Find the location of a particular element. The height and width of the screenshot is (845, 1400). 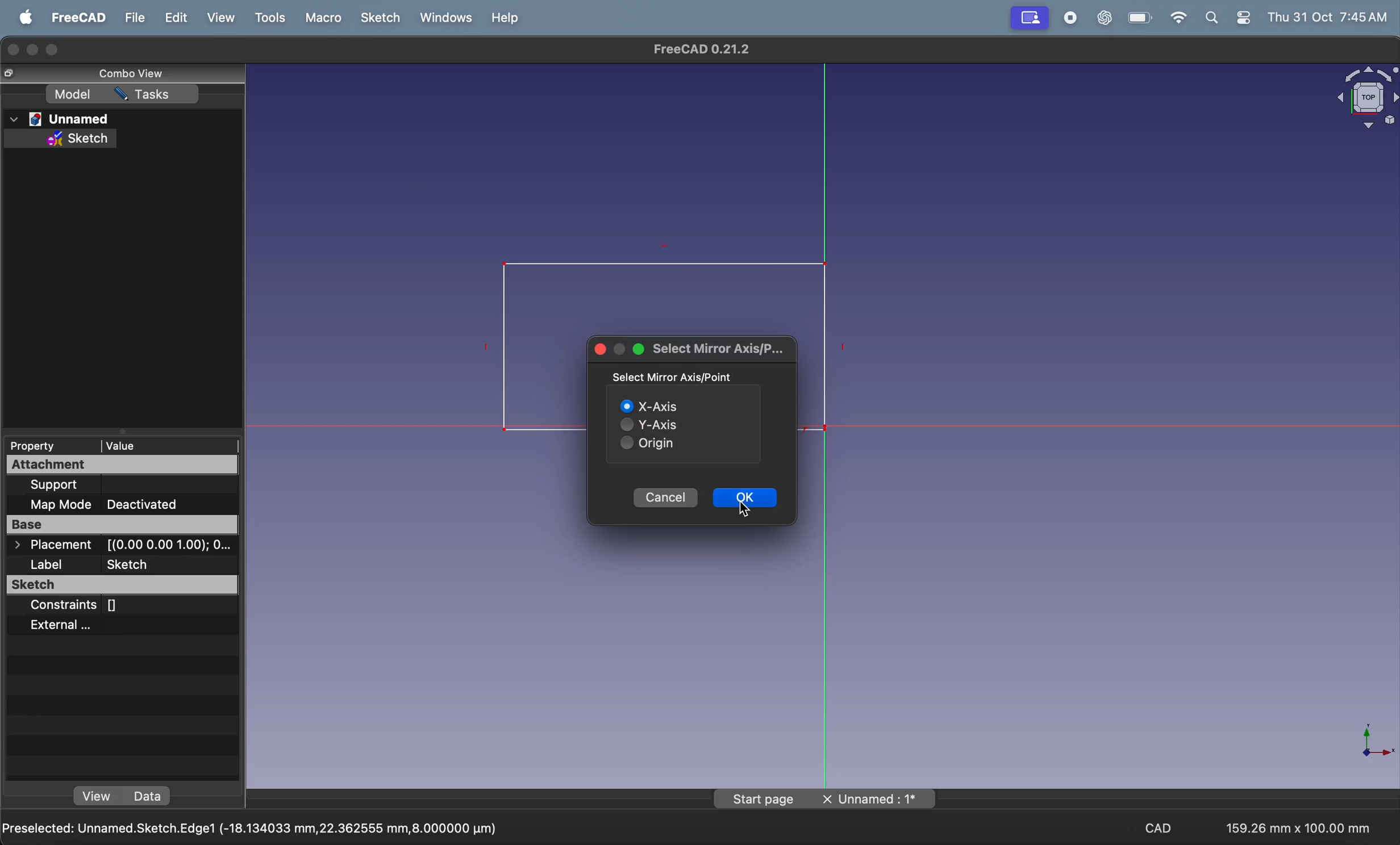

model is located at coordinates (77, 96).